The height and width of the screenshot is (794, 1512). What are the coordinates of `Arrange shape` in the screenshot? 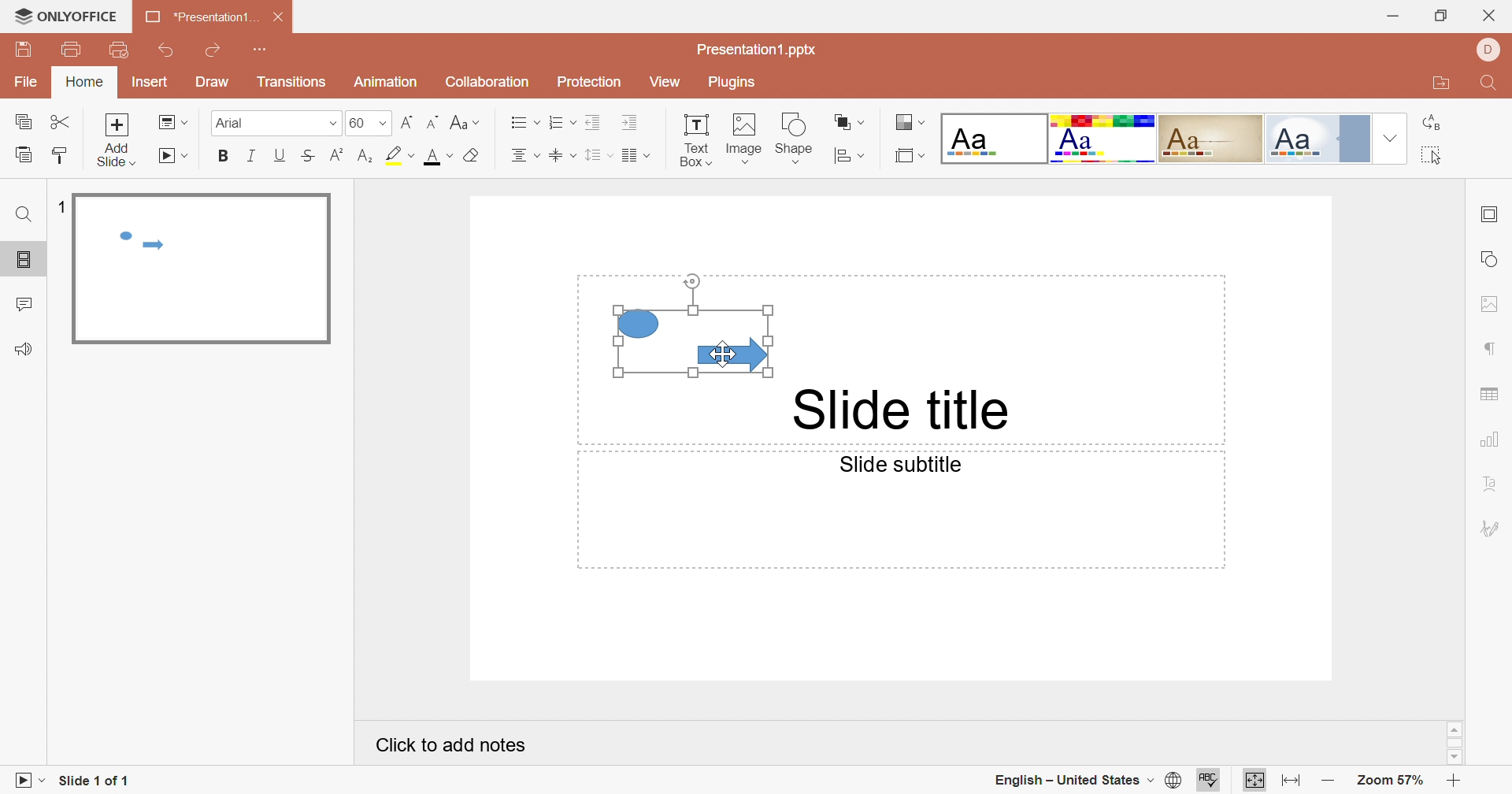 It's located at (847, 121).